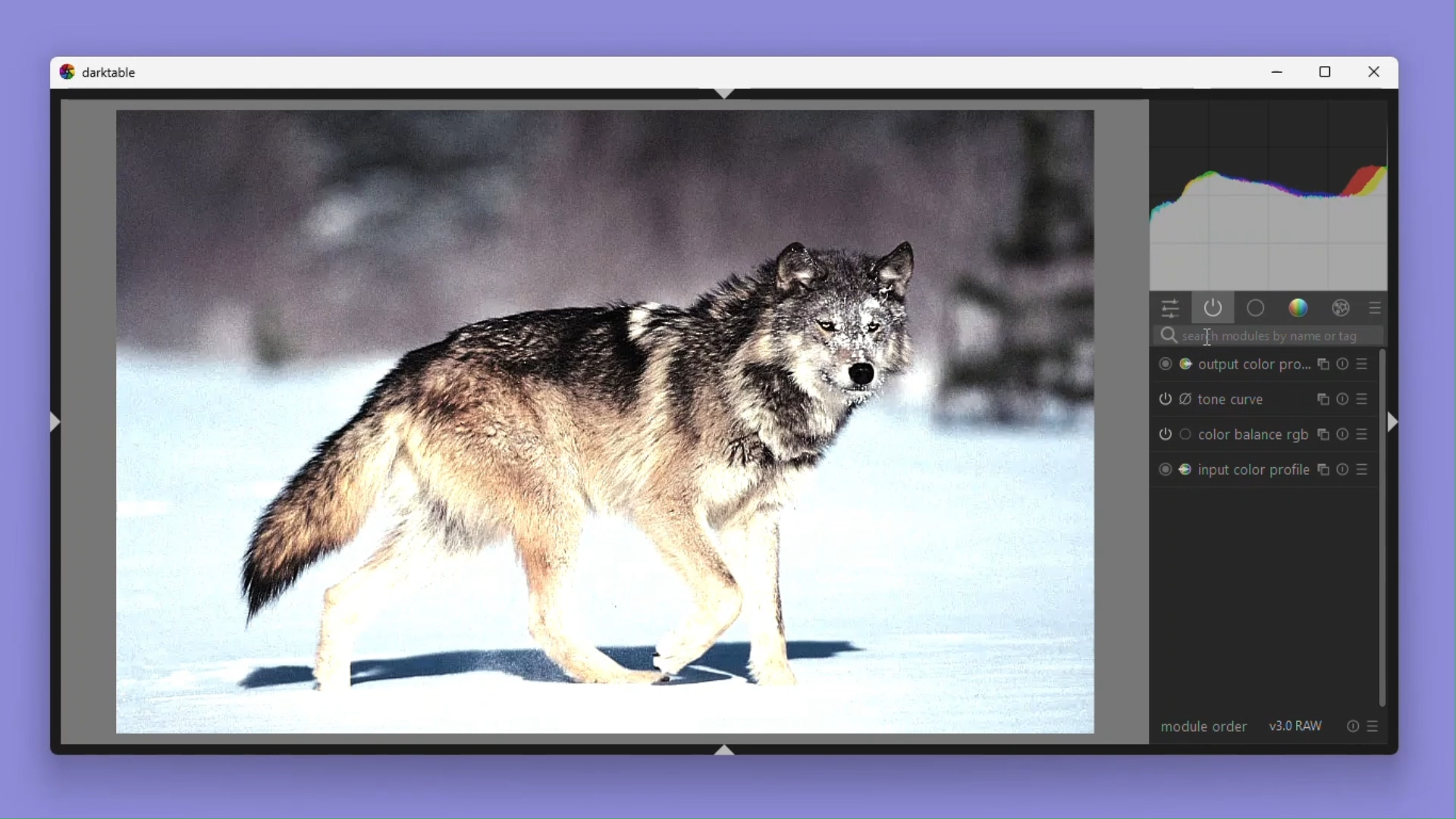  Describe the element at coordinates (65, 71) in the screenshot. I see `logo` at that location.